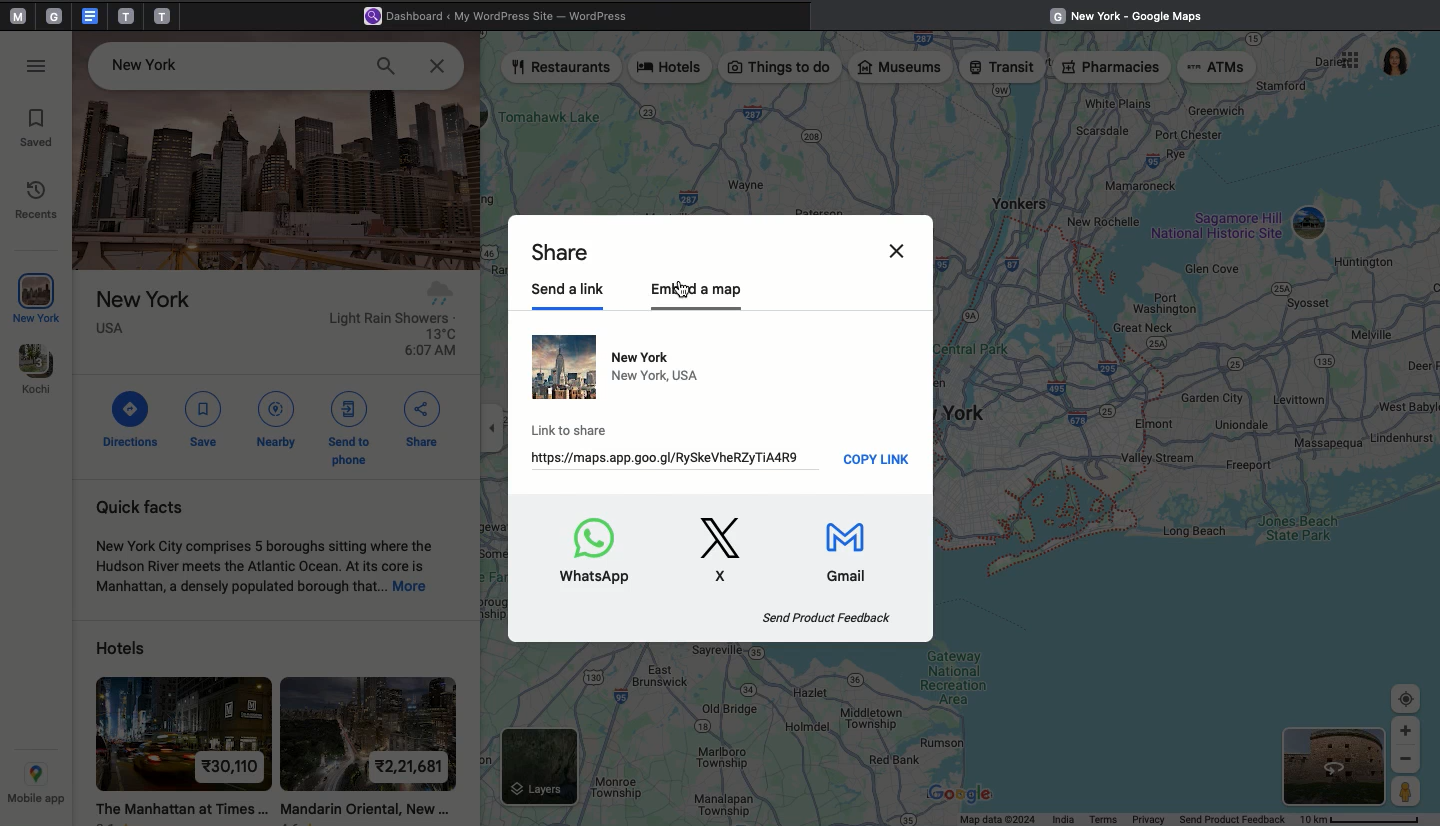 The image size is (1440, 826). What do you see at coordinates (562, 69) in the screenshot?
I see `Restaurants` at bounding box center [562, 69].